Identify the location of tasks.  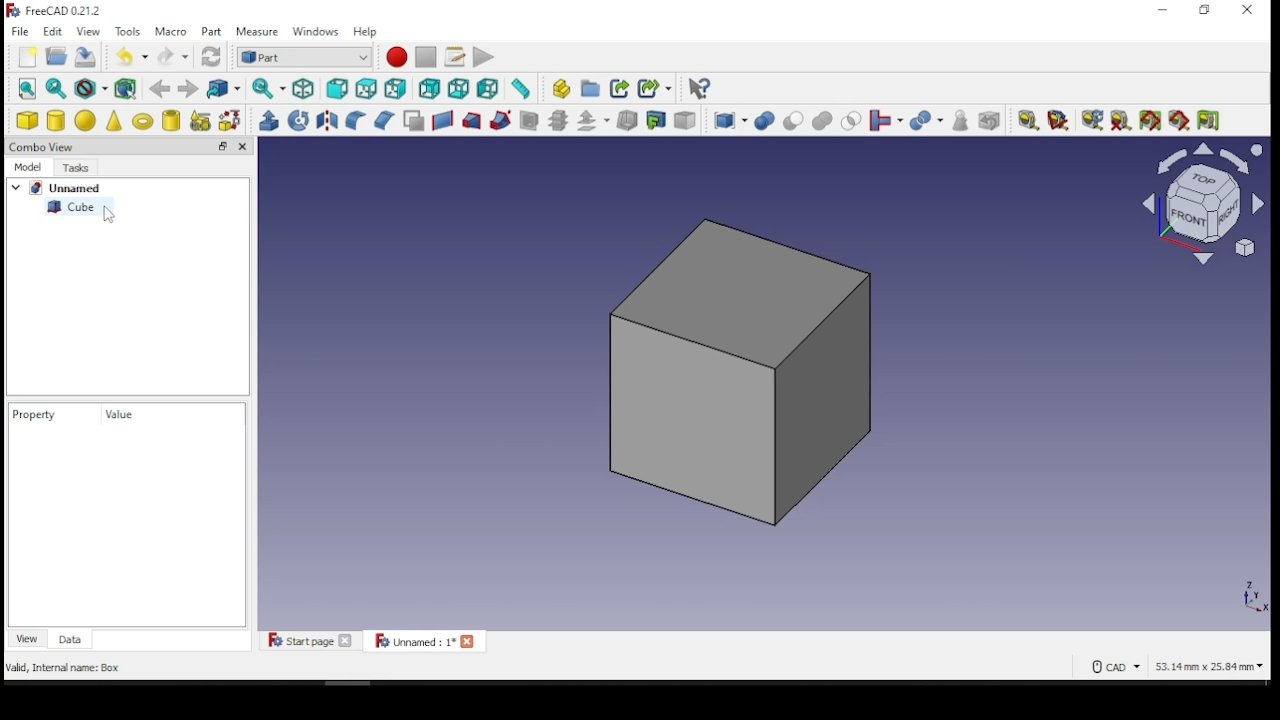
(81, 166).